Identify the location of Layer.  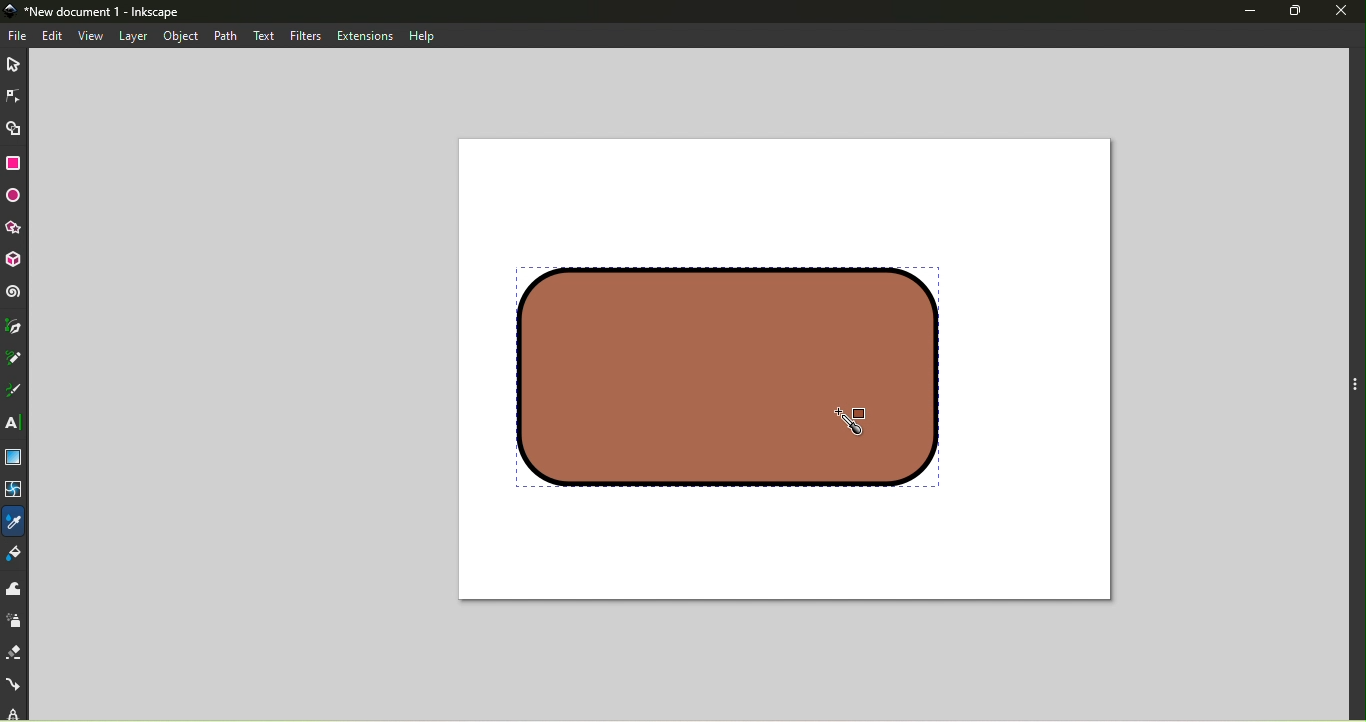
(134, 37).